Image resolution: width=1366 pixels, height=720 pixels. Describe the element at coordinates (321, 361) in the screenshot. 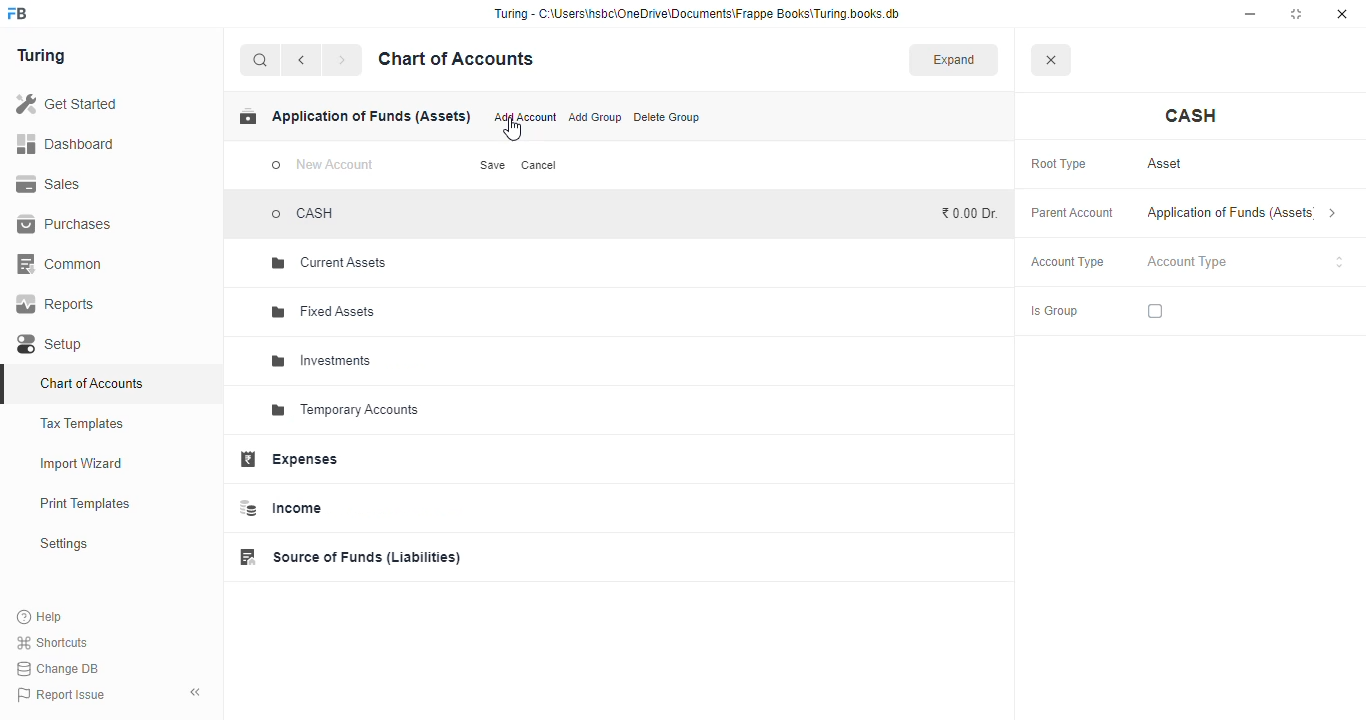

I see `investments` at that location.